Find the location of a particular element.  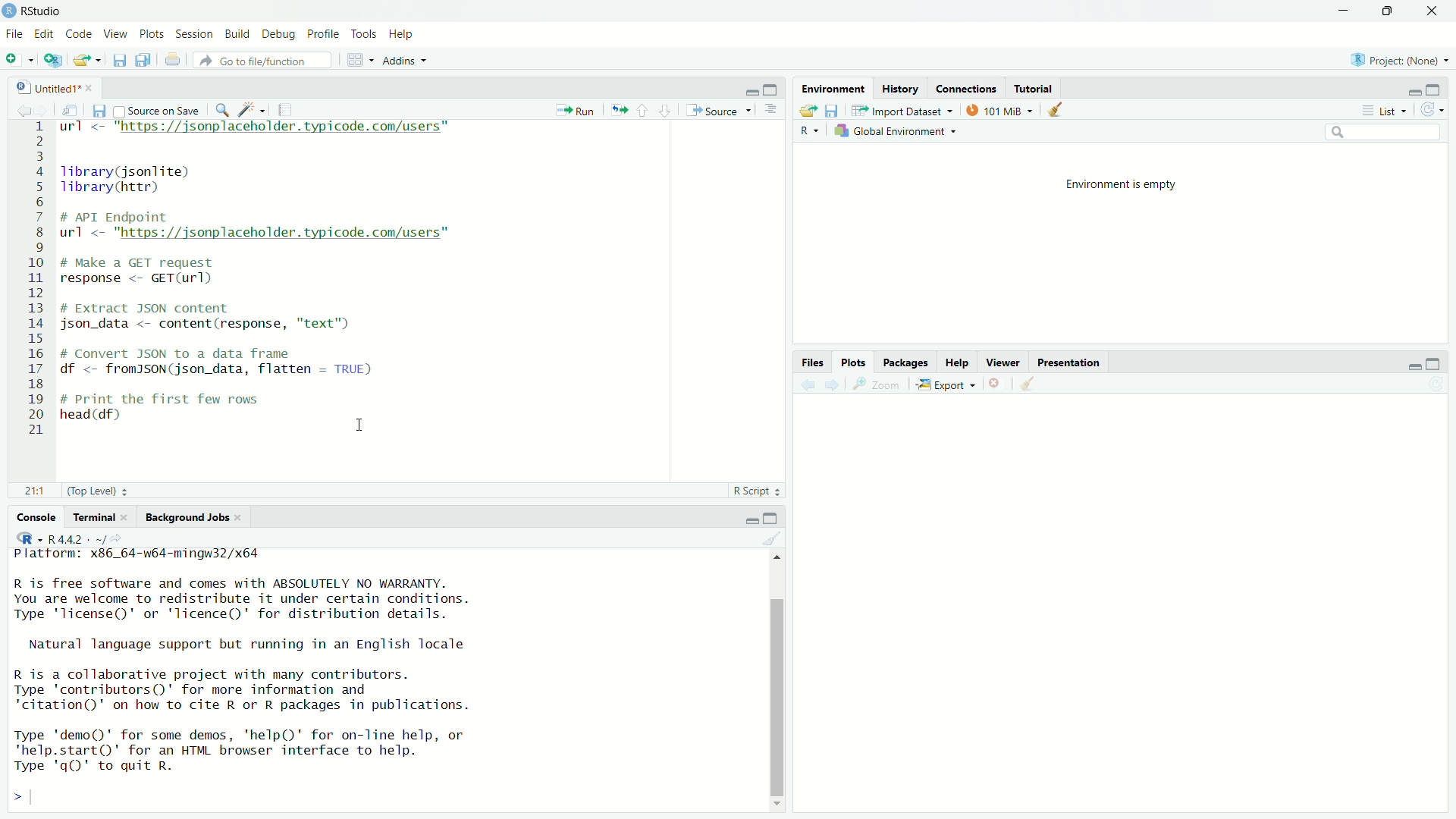

Maximize is located at coordinates (1434, 365).